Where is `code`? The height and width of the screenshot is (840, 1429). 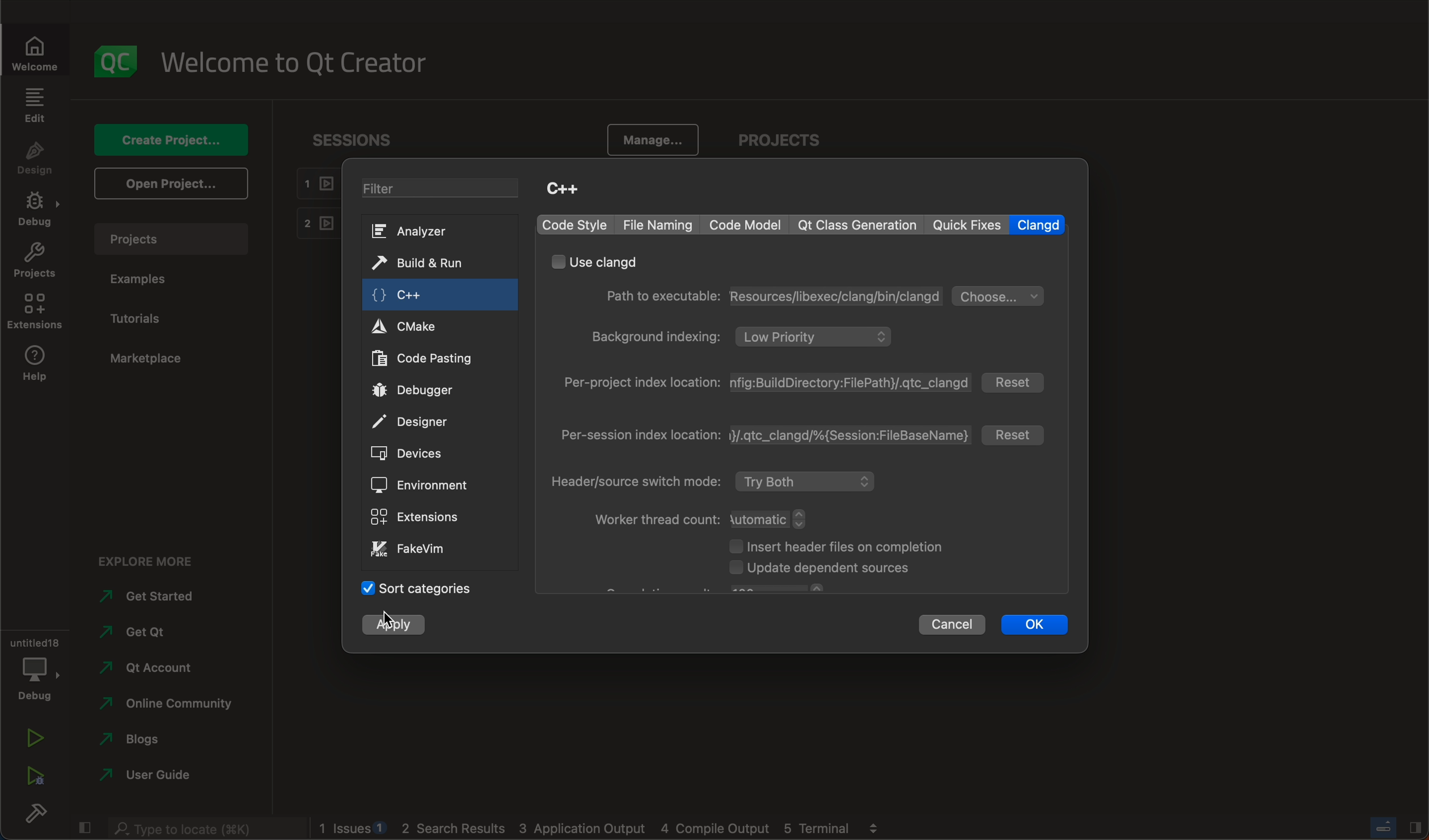 code is located at coordinates (745, 224).